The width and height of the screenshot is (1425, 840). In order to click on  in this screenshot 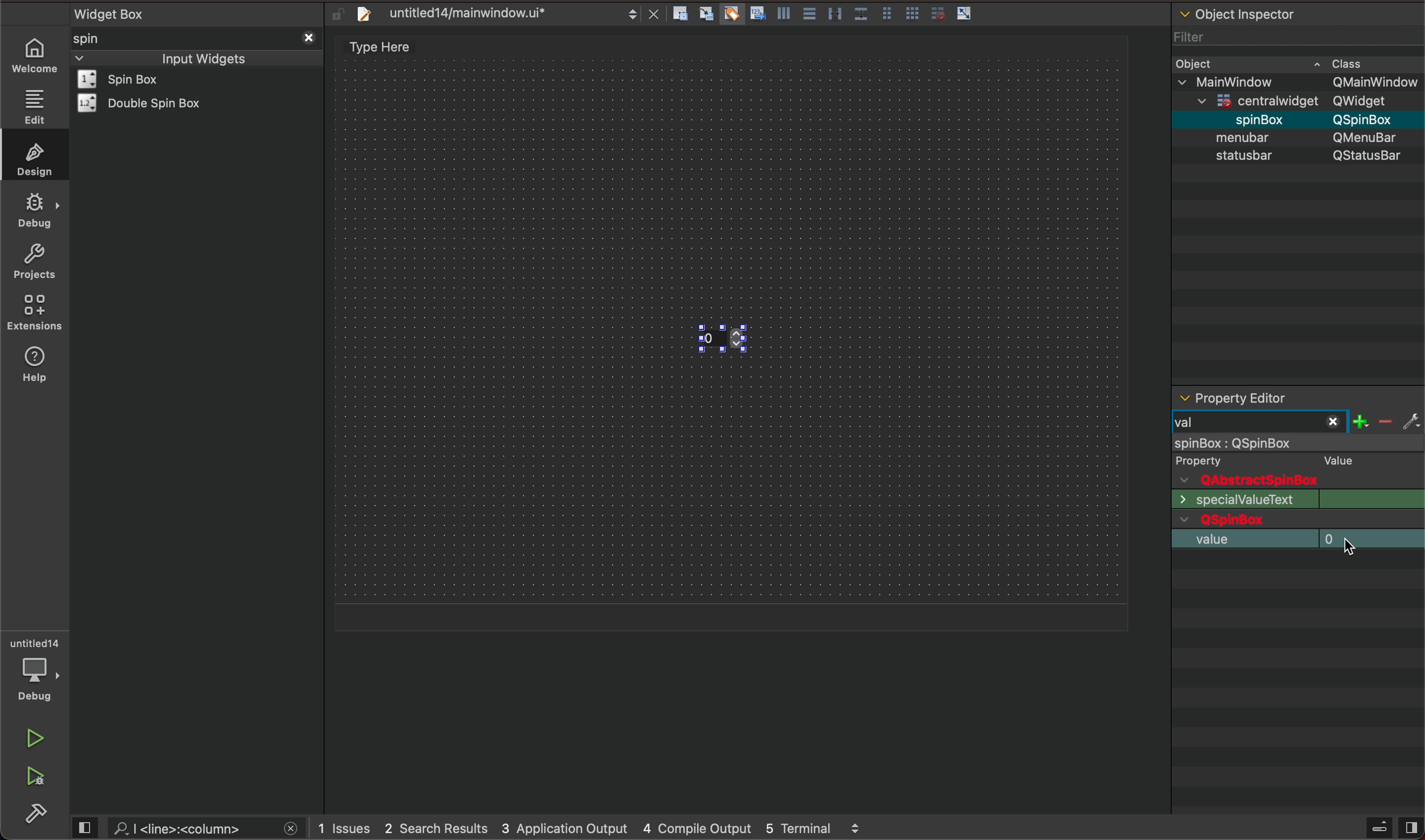, I will do `click(1374, 82)`.